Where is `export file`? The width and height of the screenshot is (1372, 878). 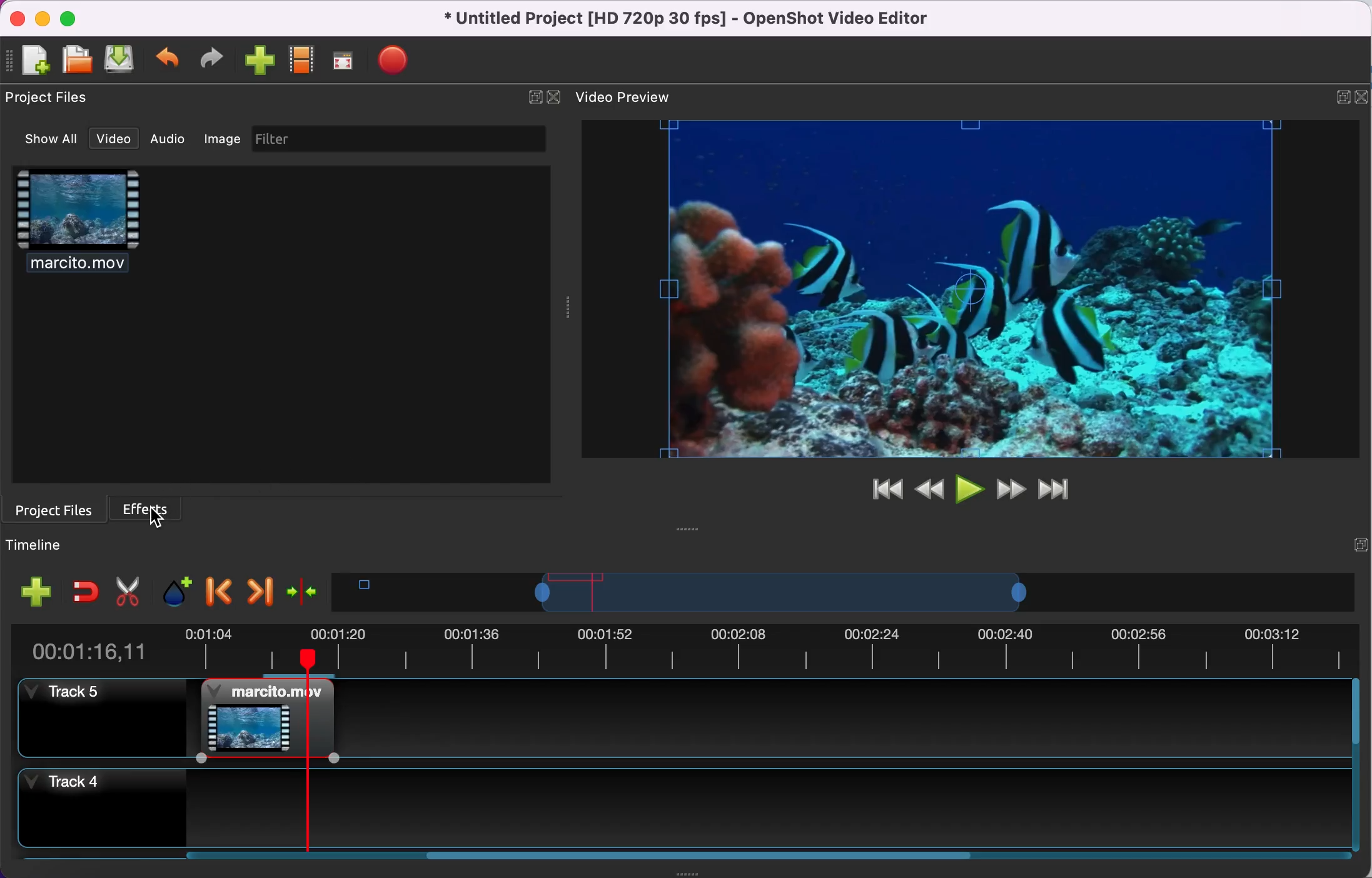 export file is located at coordinates (393, 62).